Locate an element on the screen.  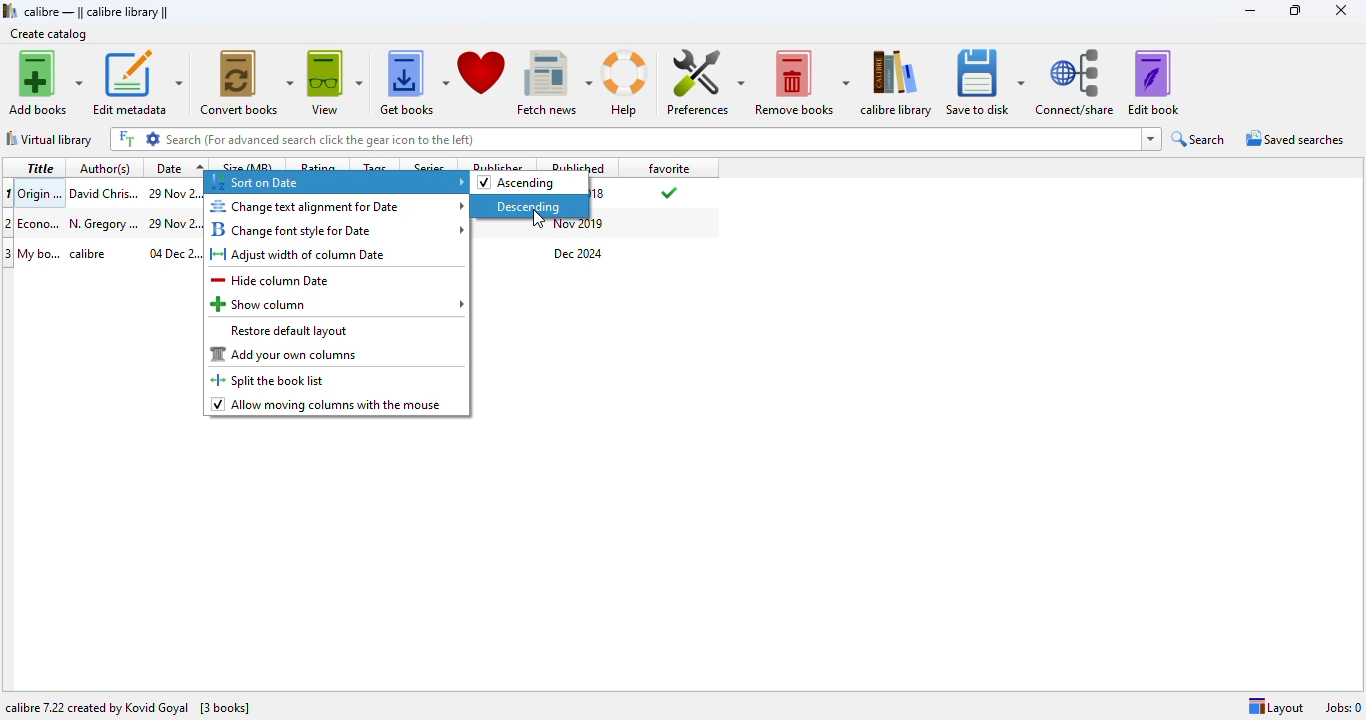
create catalog is located at coordinates (48, 33).